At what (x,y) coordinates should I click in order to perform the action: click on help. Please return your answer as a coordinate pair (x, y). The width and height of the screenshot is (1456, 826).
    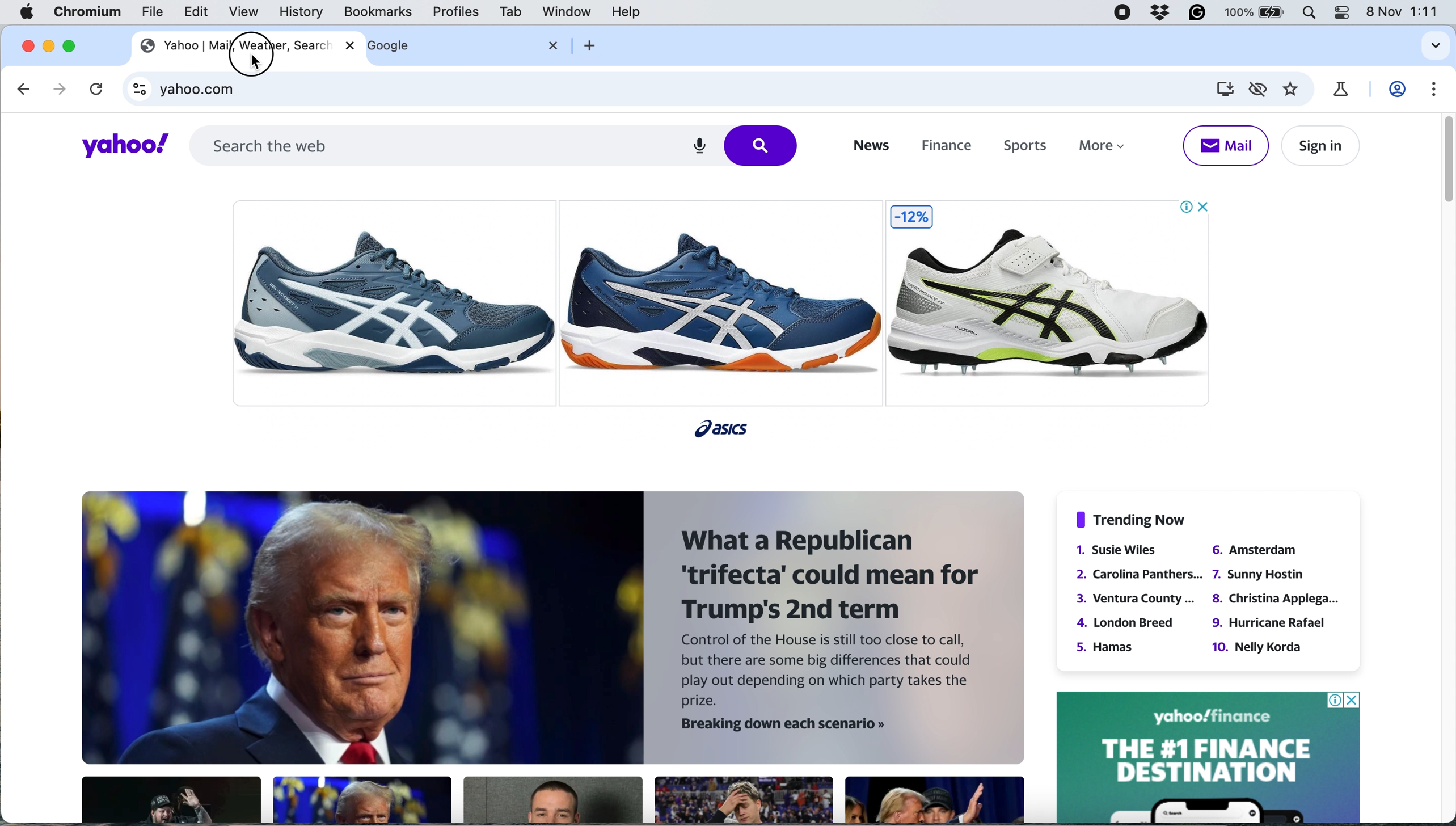
    Looking at the image, I should click on (625, 12).